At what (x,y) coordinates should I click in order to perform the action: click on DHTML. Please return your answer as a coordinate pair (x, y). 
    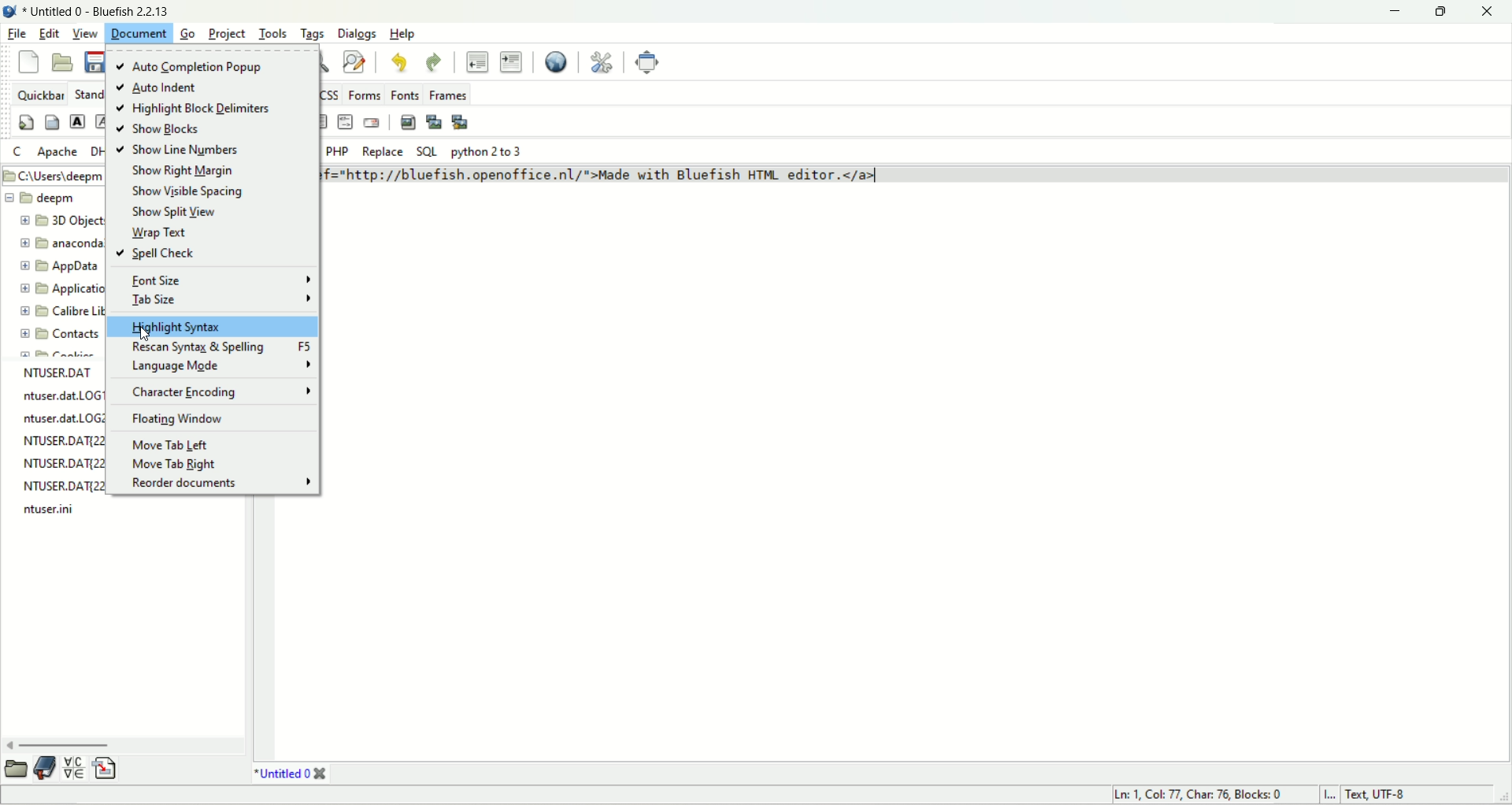
    Looking at the image, I should click on (98, 153).